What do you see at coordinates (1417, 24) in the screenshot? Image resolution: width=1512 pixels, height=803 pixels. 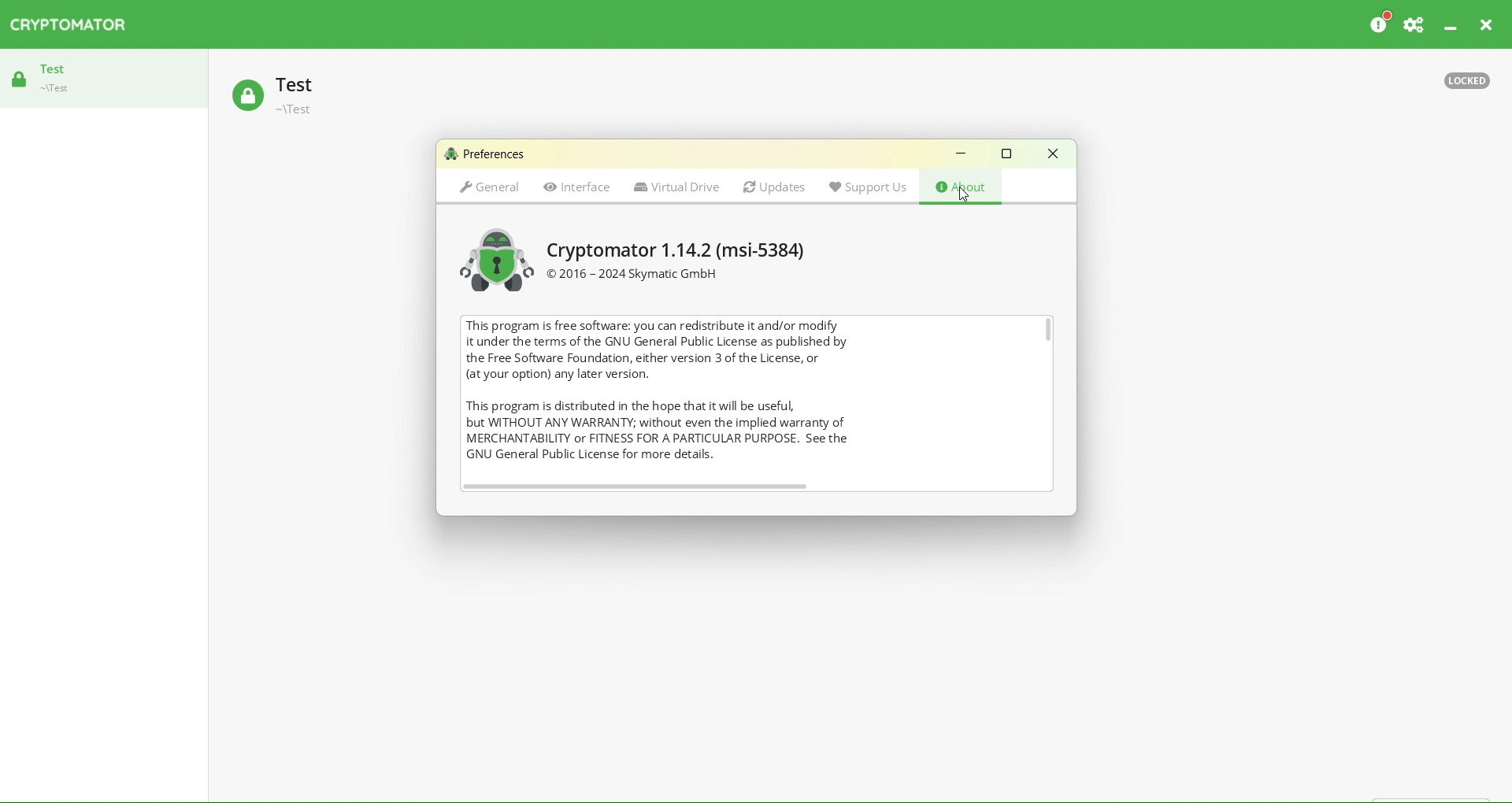 I see `Support` at bounding box center [1417, 24].